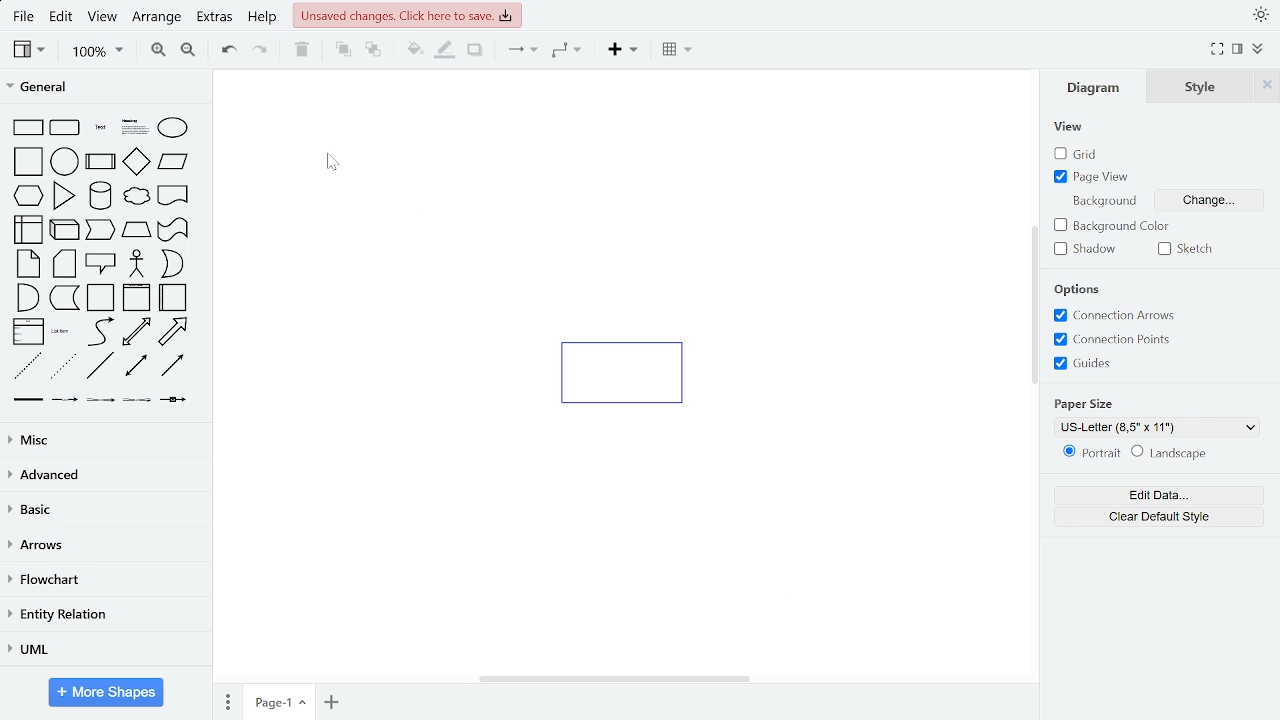 Image resolution: width=1280 pixels, height=720 pixels. I want to click on arrange, so click(156, 20).